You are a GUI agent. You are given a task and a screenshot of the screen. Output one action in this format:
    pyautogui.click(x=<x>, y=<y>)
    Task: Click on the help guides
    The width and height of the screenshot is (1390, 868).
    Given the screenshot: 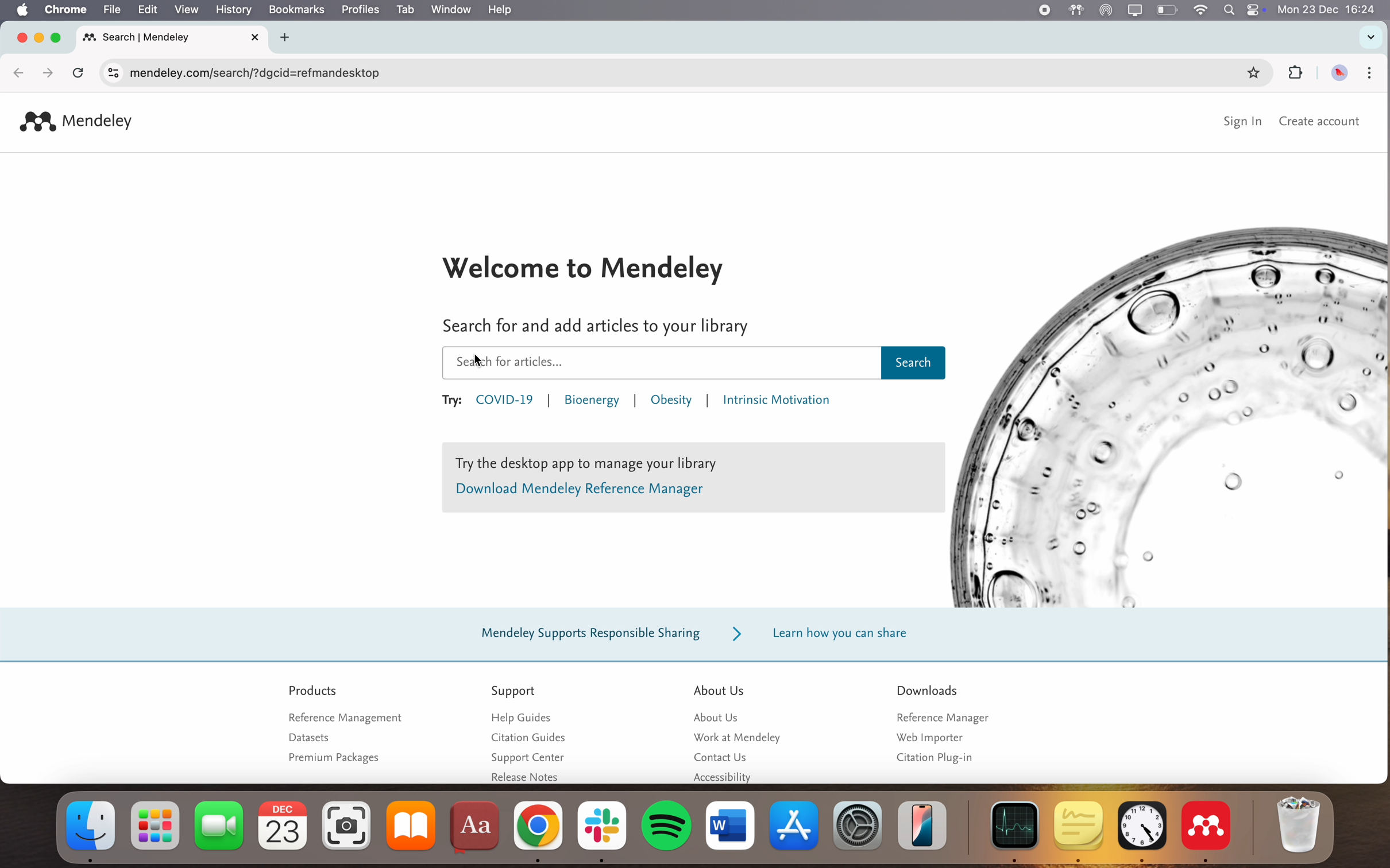 What is the action you would take?
    pyautogui.click(x=527, y=719)
    